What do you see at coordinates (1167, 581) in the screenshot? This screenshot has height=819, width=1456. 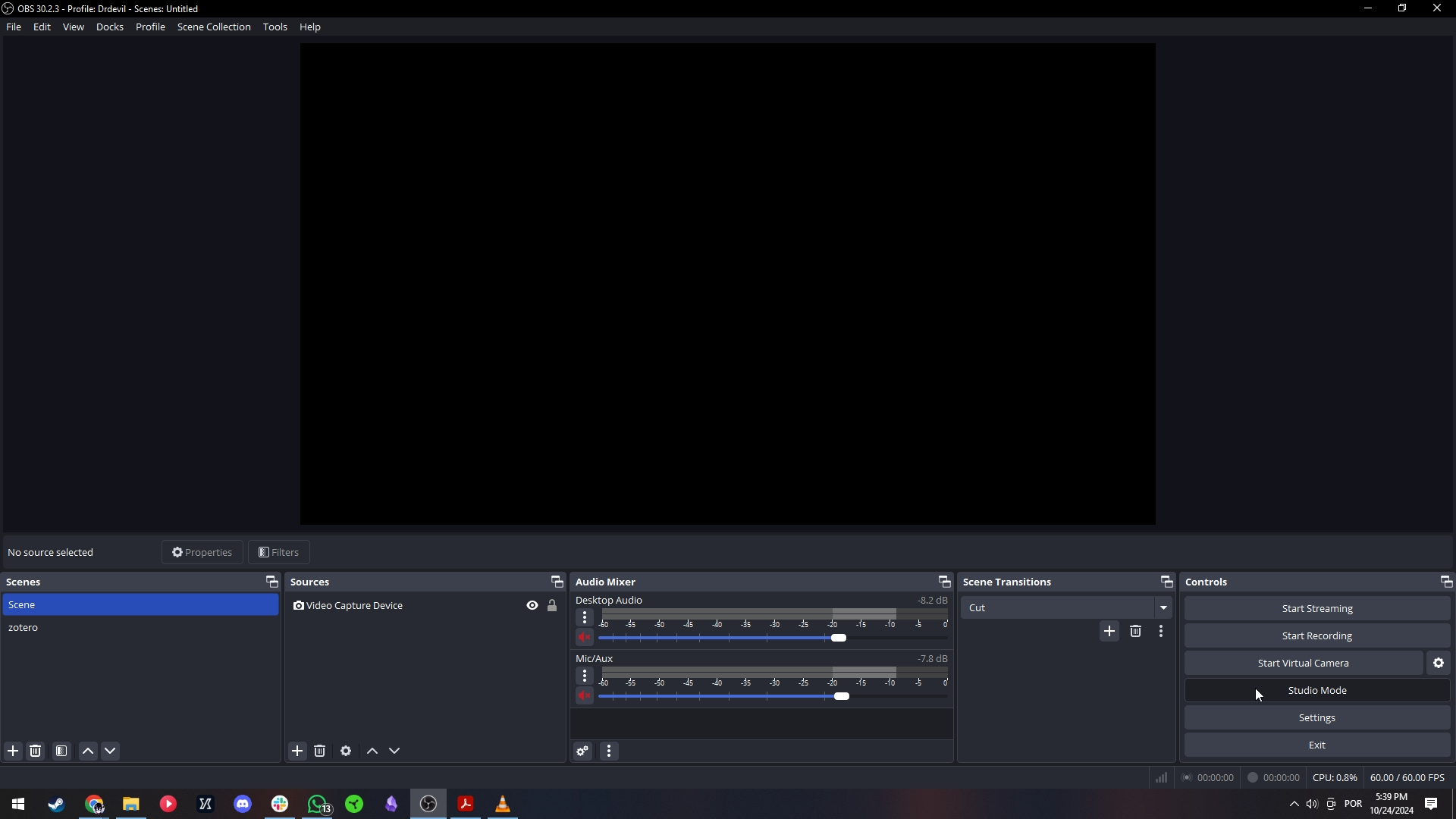 I see `Separate scene transitions menu` at bounding box center [1167, 581].